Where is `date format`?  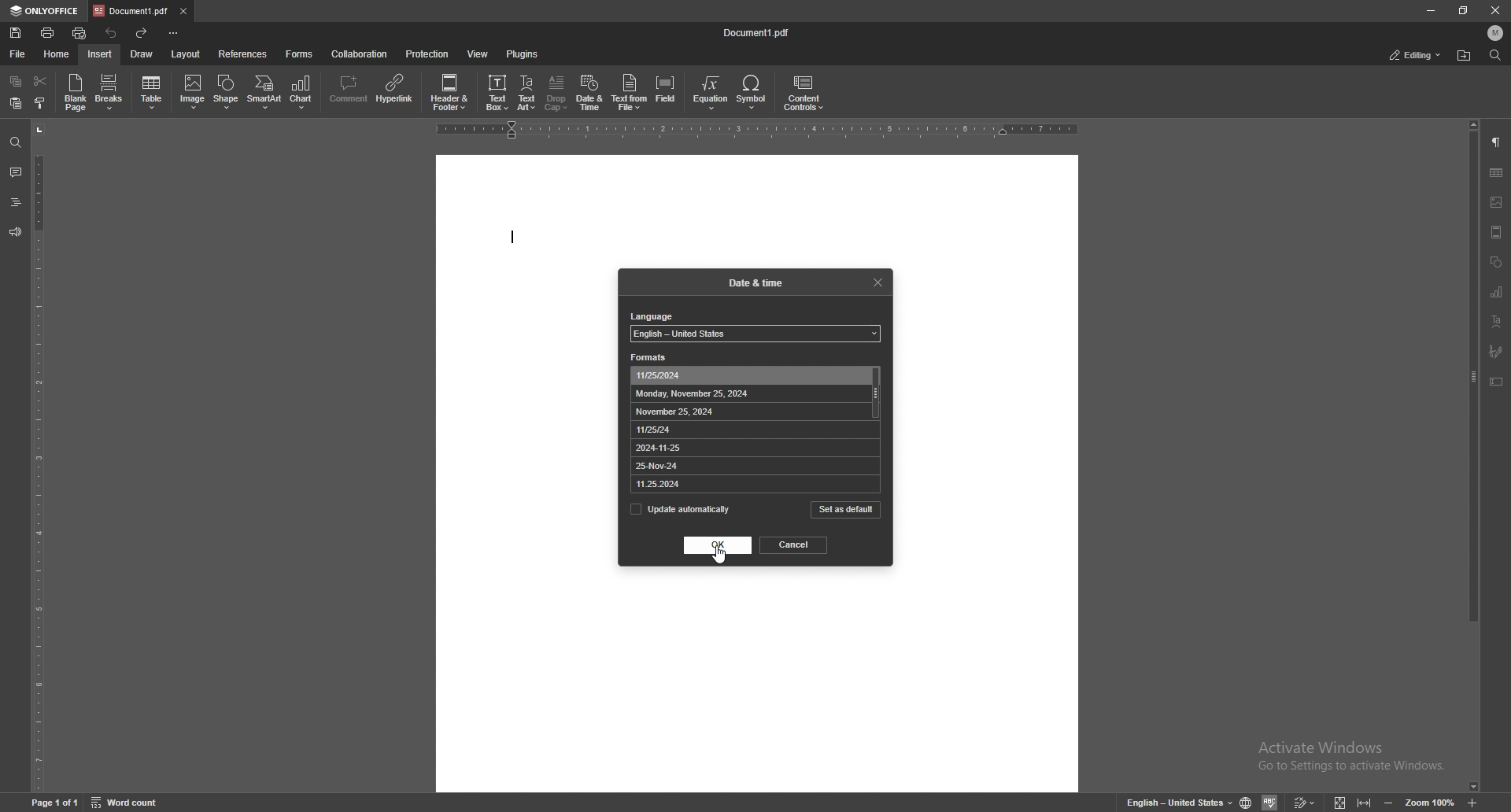
date format is located at coordinates (674, 467).